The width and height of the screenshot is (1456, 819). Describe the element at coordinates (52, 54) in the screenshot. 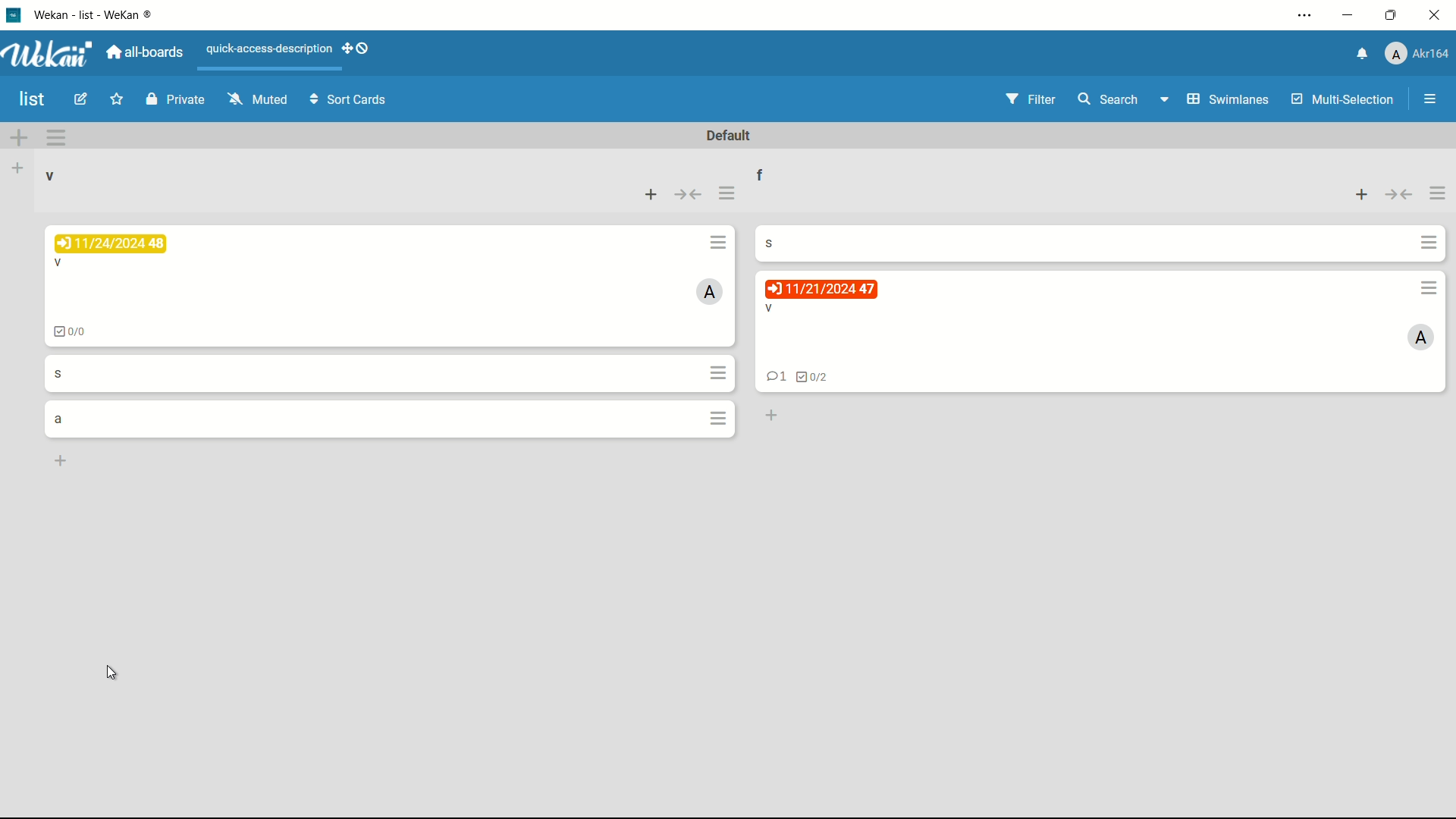

I see `wekan logo` at that location.